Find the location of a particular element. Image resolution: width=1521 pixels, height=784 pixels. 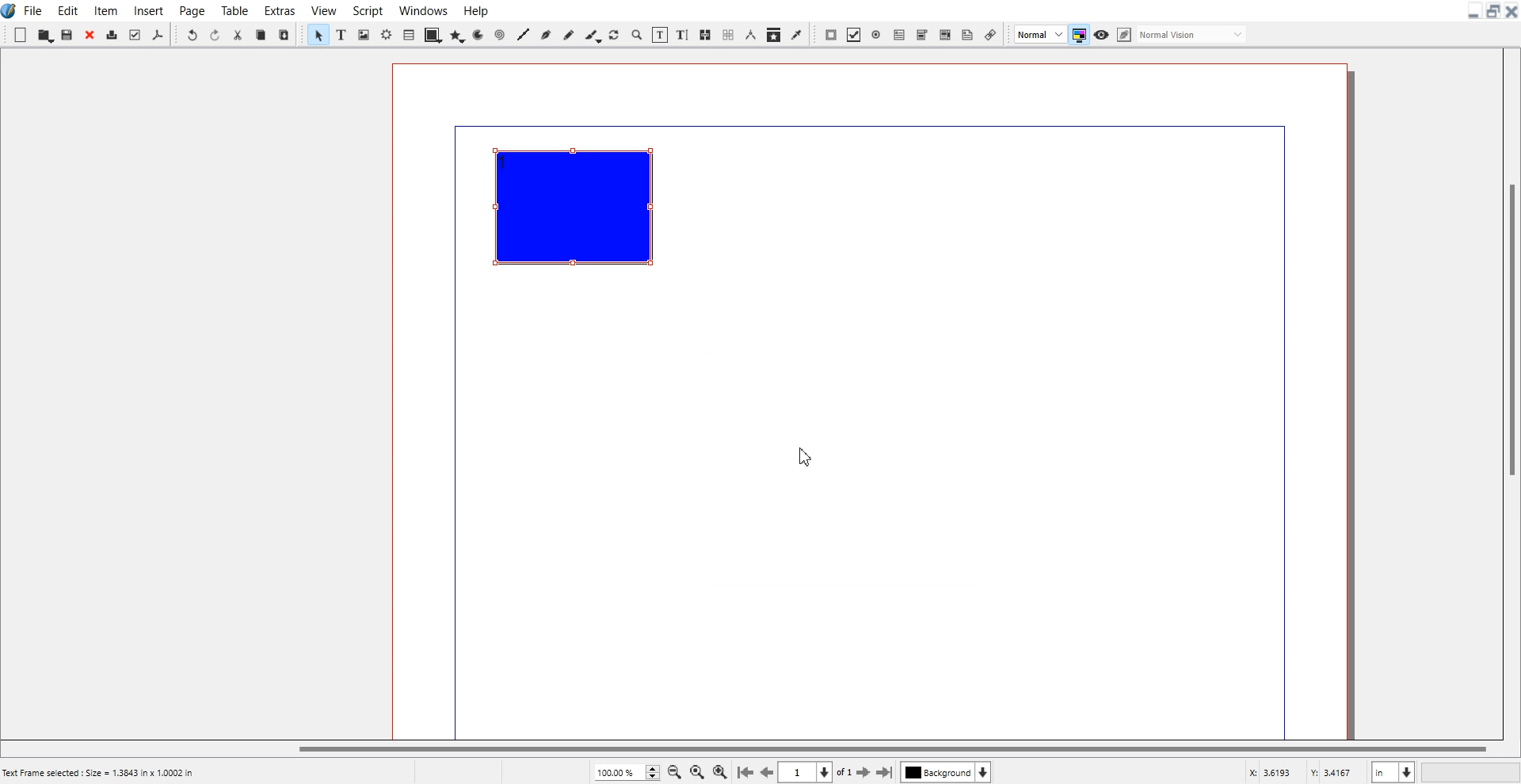

Save as PDF is located at coordinates (157, 34).